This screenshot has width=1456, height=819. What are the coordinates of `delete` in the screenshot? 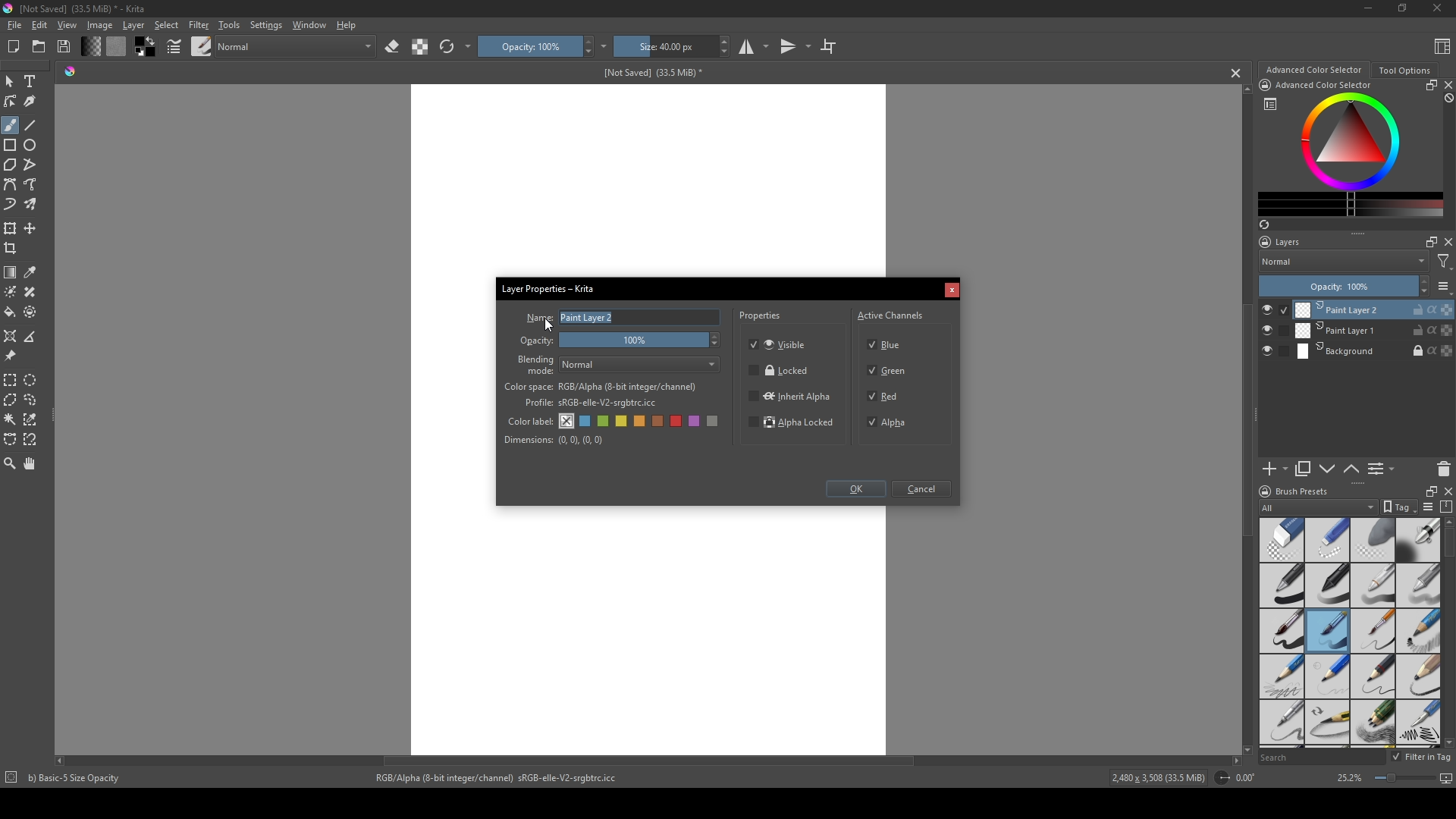 It's located at (1444, 469).